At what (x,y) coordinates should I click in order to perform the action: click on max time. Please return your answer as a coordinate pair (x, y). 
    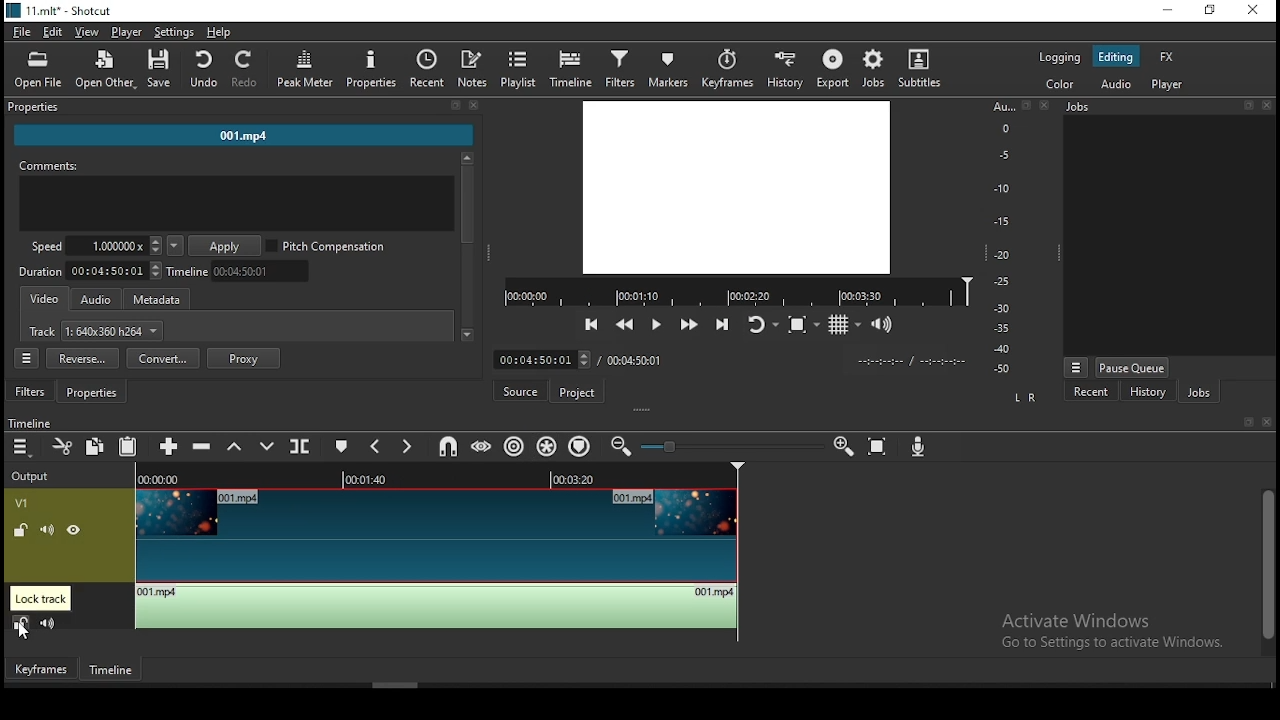
    Looking at the image, I should click on (634, 362).